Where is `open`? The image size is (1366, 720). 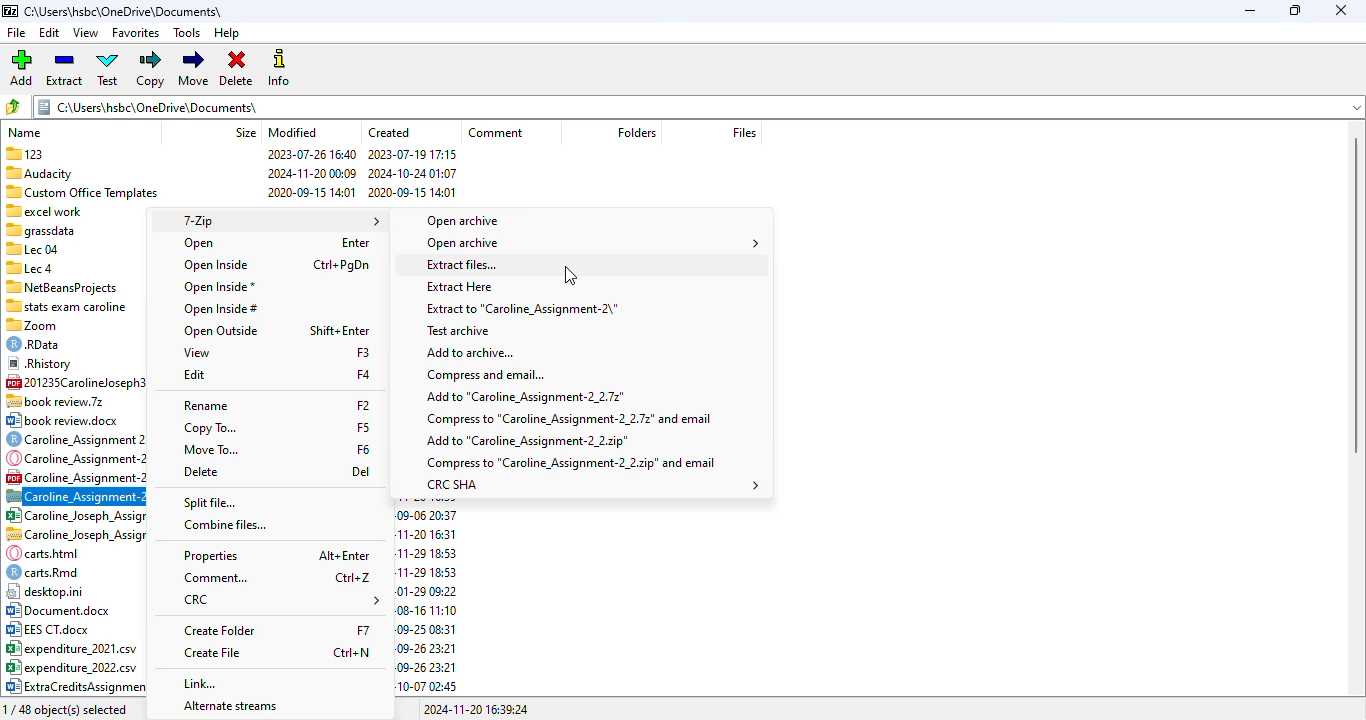
open is located at coordinates (200, 243).